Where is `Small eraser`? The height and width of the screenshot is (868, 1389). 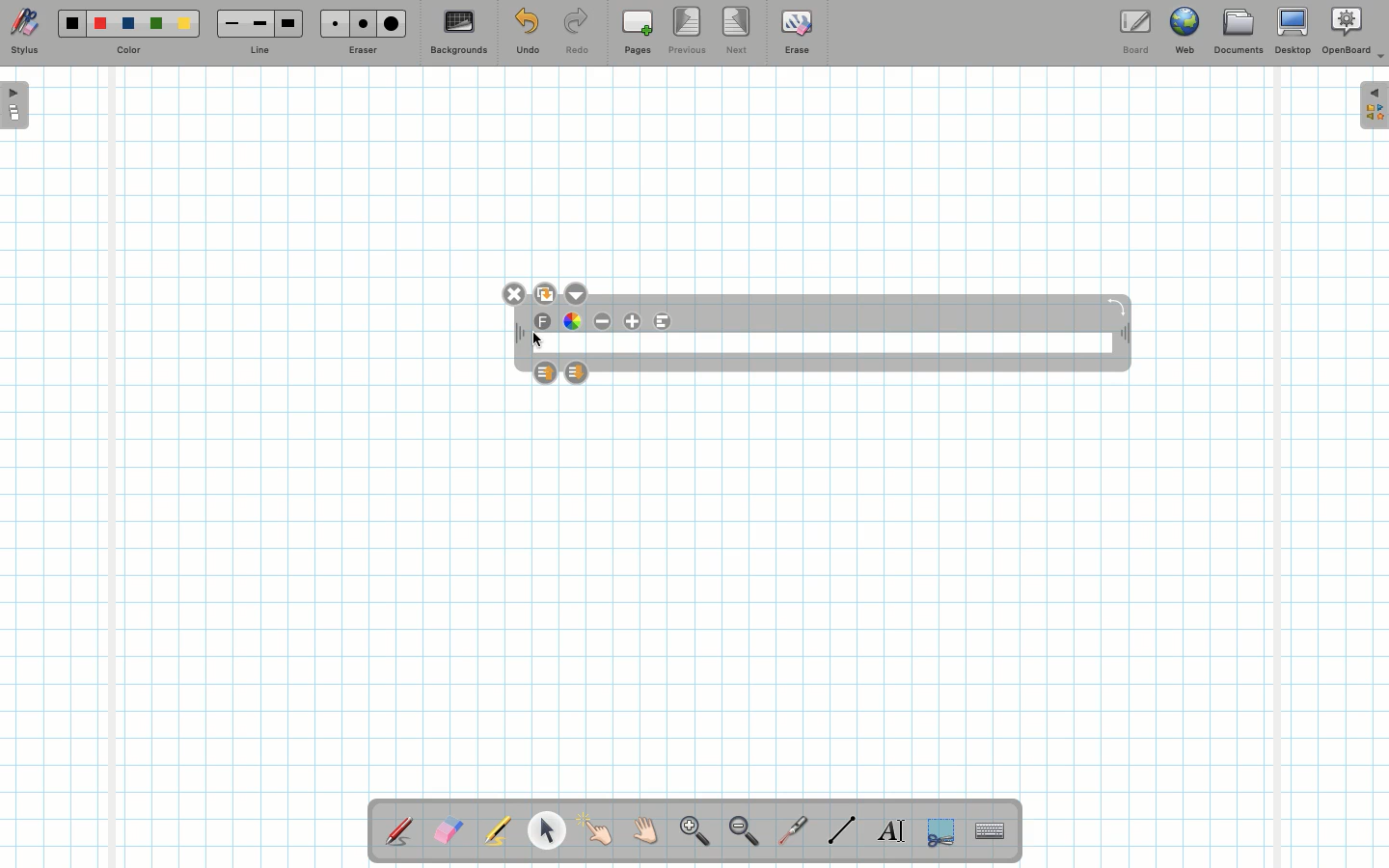
Small eraser is located at coordinates (330, 23).